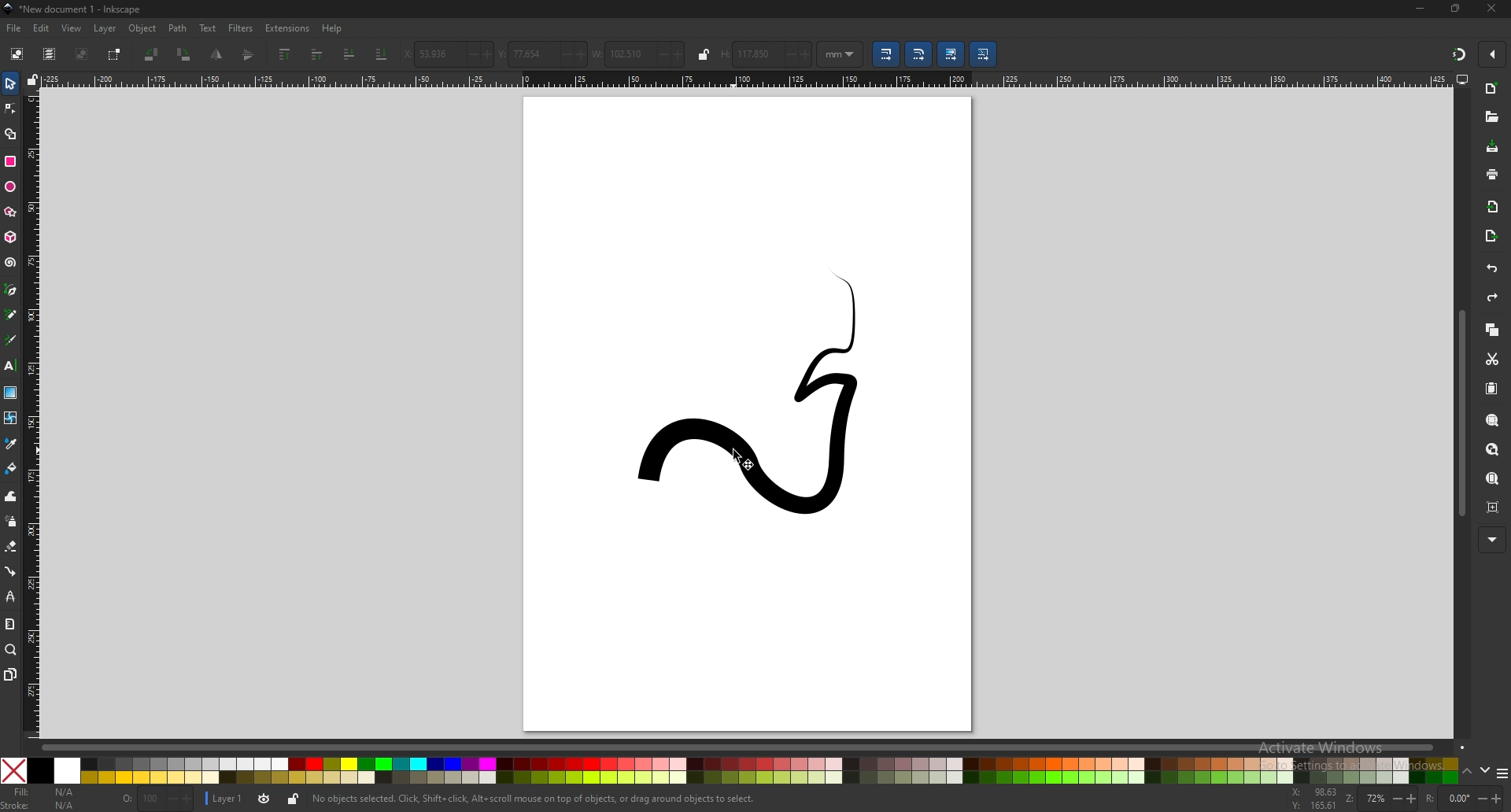 The width and height of the screenshot is (1511, 812). Describe the element at coordinates (1490, 116) in the screenshot. I see `open` at that location.